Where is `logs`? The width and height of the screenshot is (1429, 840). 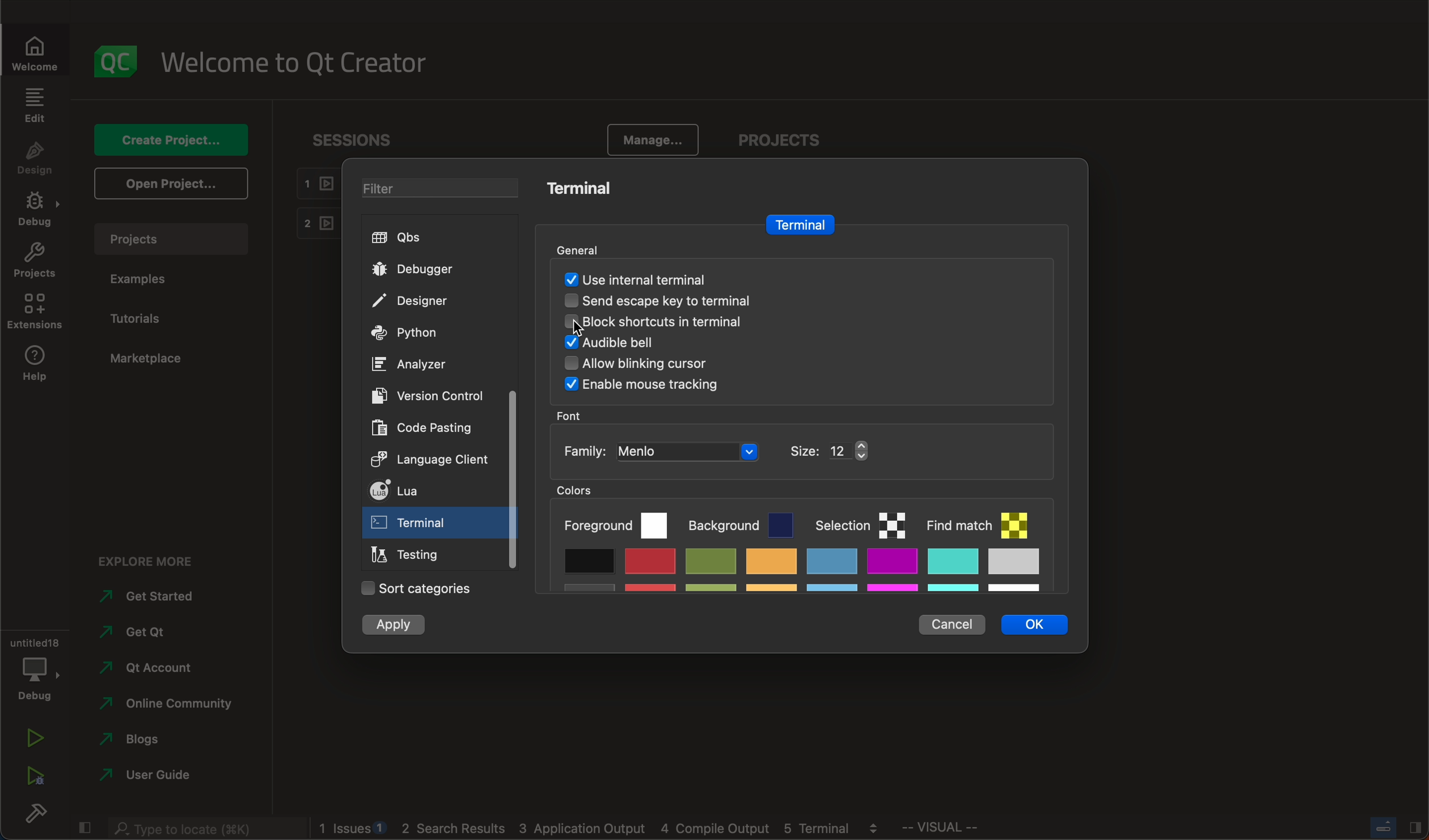 logs is located at coordinates (605, 830).